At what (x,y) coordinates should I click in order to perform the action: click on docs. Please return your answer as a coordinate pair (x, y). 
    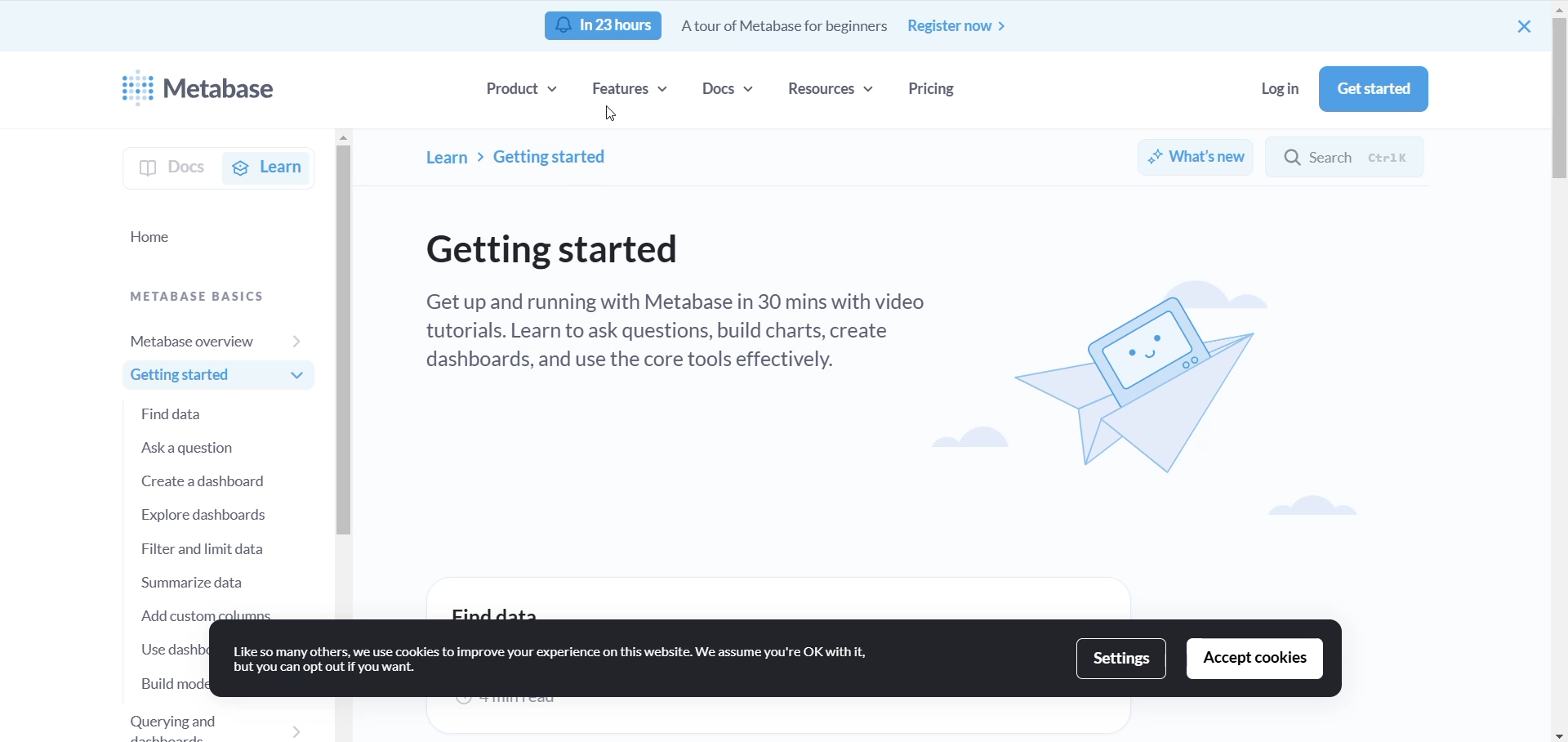
    Looking at the image, I should click on (158, 167).